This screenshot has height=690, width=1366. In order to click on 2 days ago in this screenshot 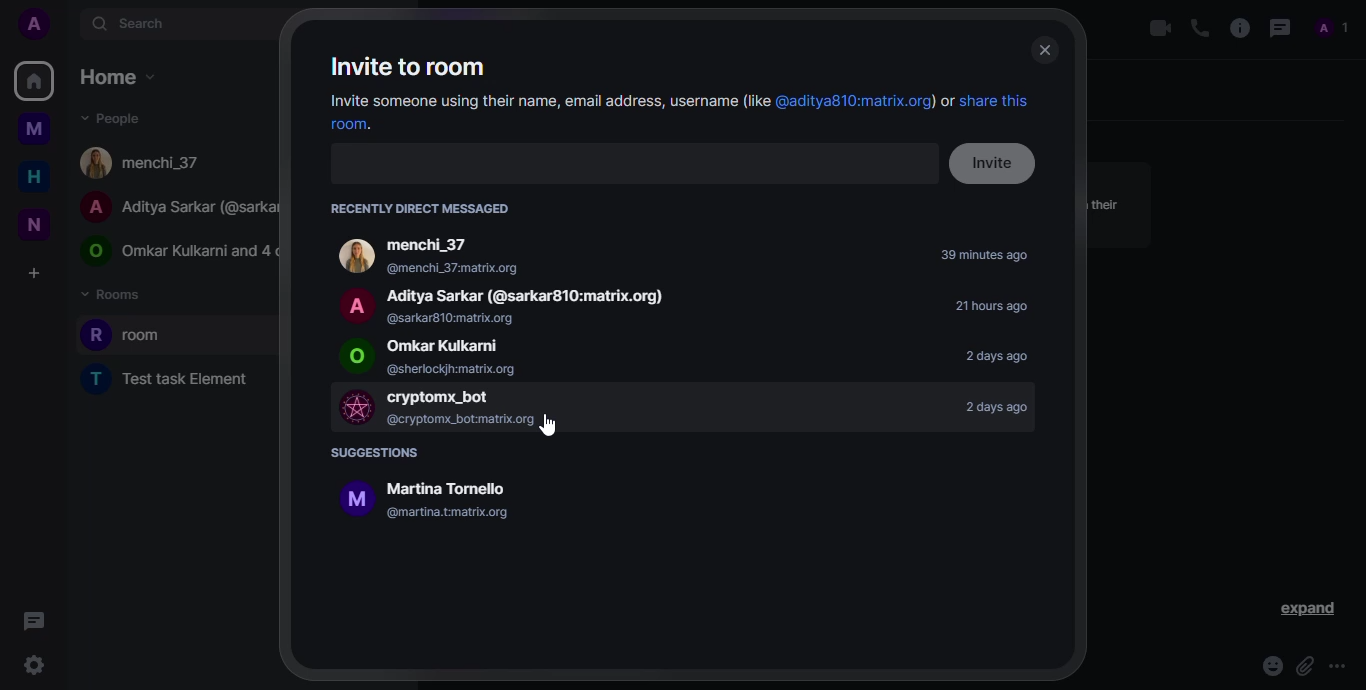, I will do `click(990, 407)`.